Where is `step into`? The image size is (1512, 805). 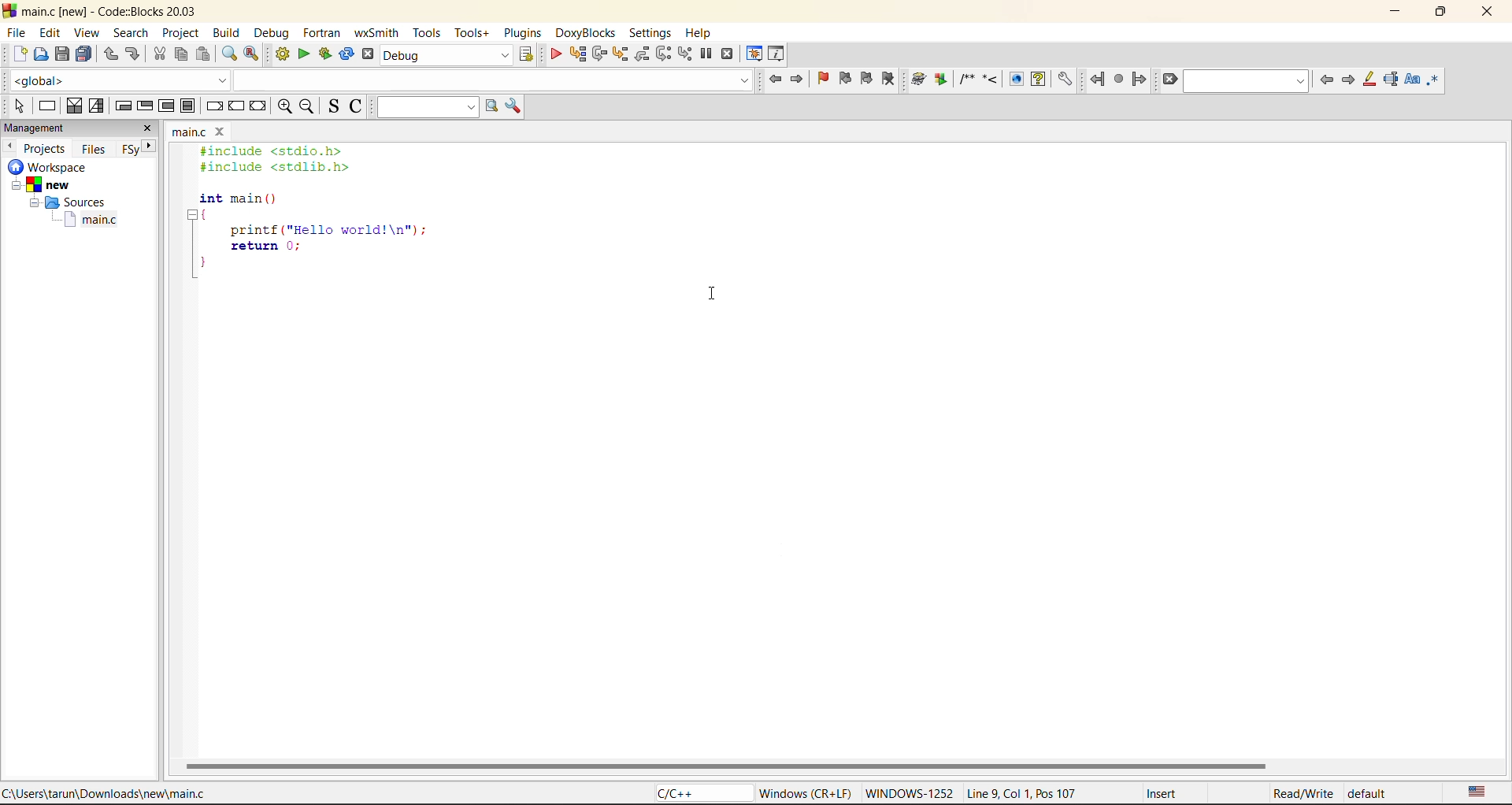
step into is located at coordinates (620, 56).